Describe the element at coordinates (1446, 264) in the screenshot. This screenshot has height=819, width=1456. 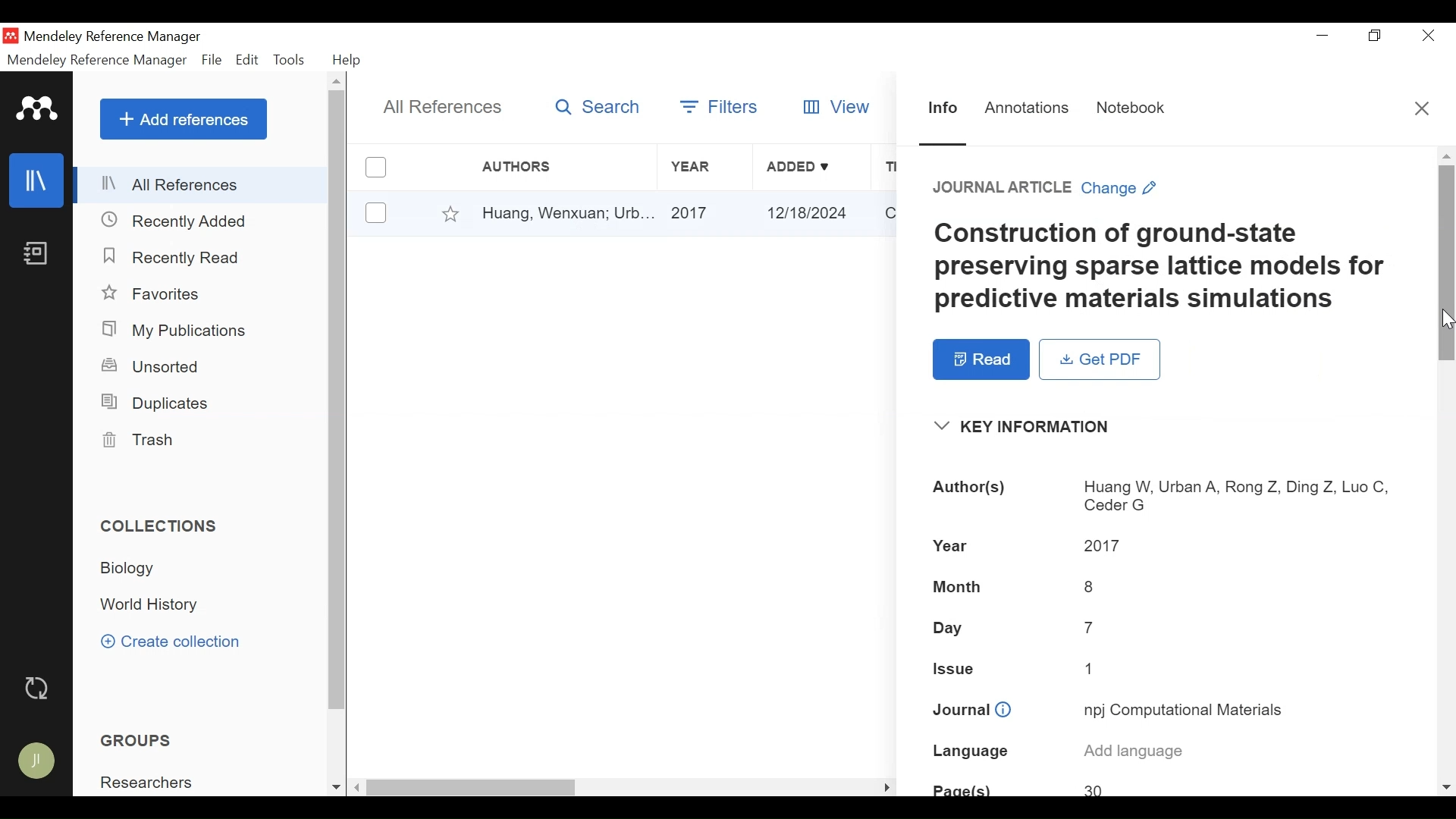
I see `Vertical Scroll bar` at that location.